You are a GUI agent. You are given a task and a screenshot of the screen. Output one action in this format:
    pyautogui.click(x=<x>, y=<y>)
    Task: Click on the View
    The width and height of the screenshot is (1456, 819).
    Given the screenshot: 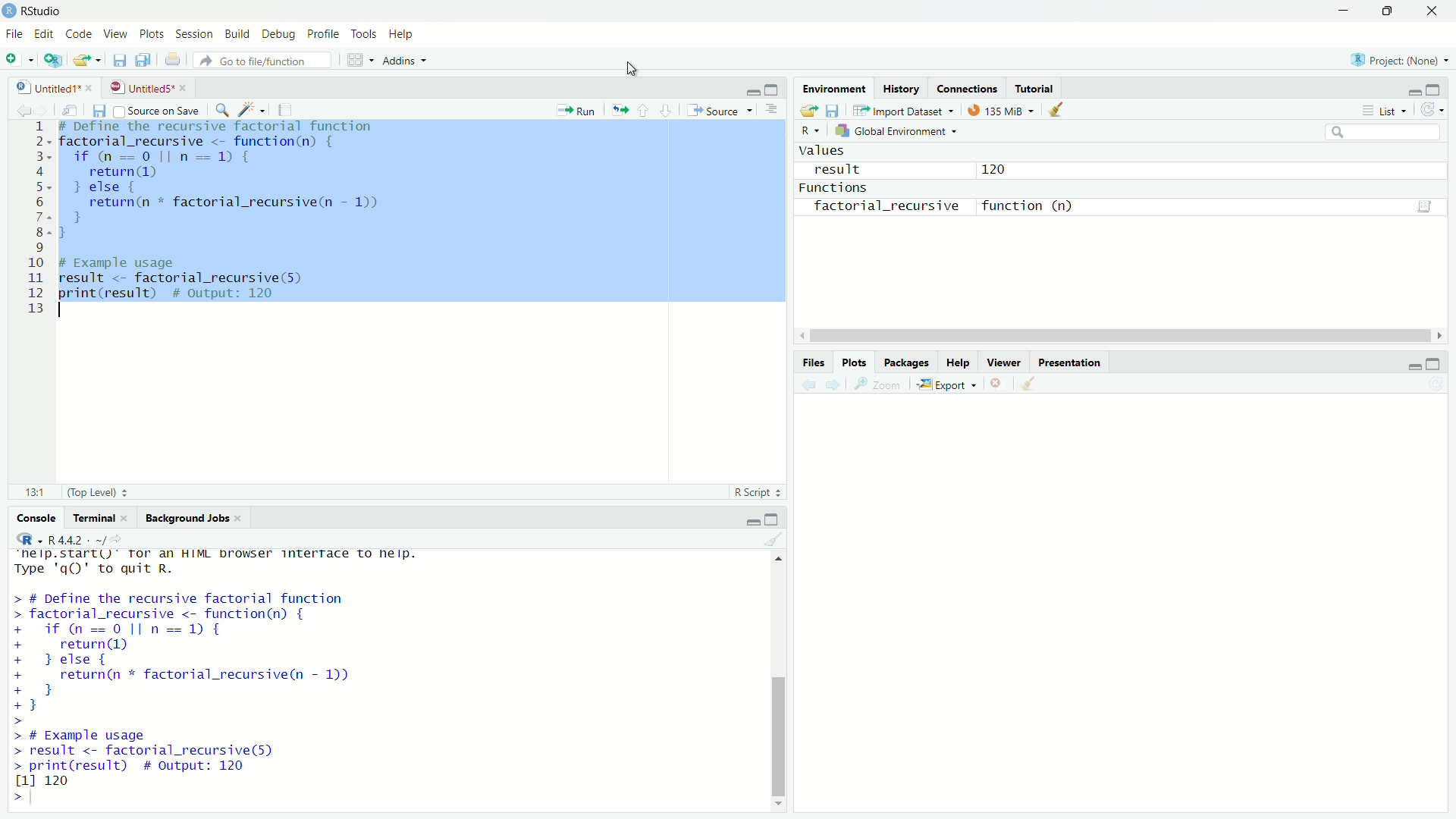 What is the action you would take?
    pyautogui.click(x=115, y=33)
    